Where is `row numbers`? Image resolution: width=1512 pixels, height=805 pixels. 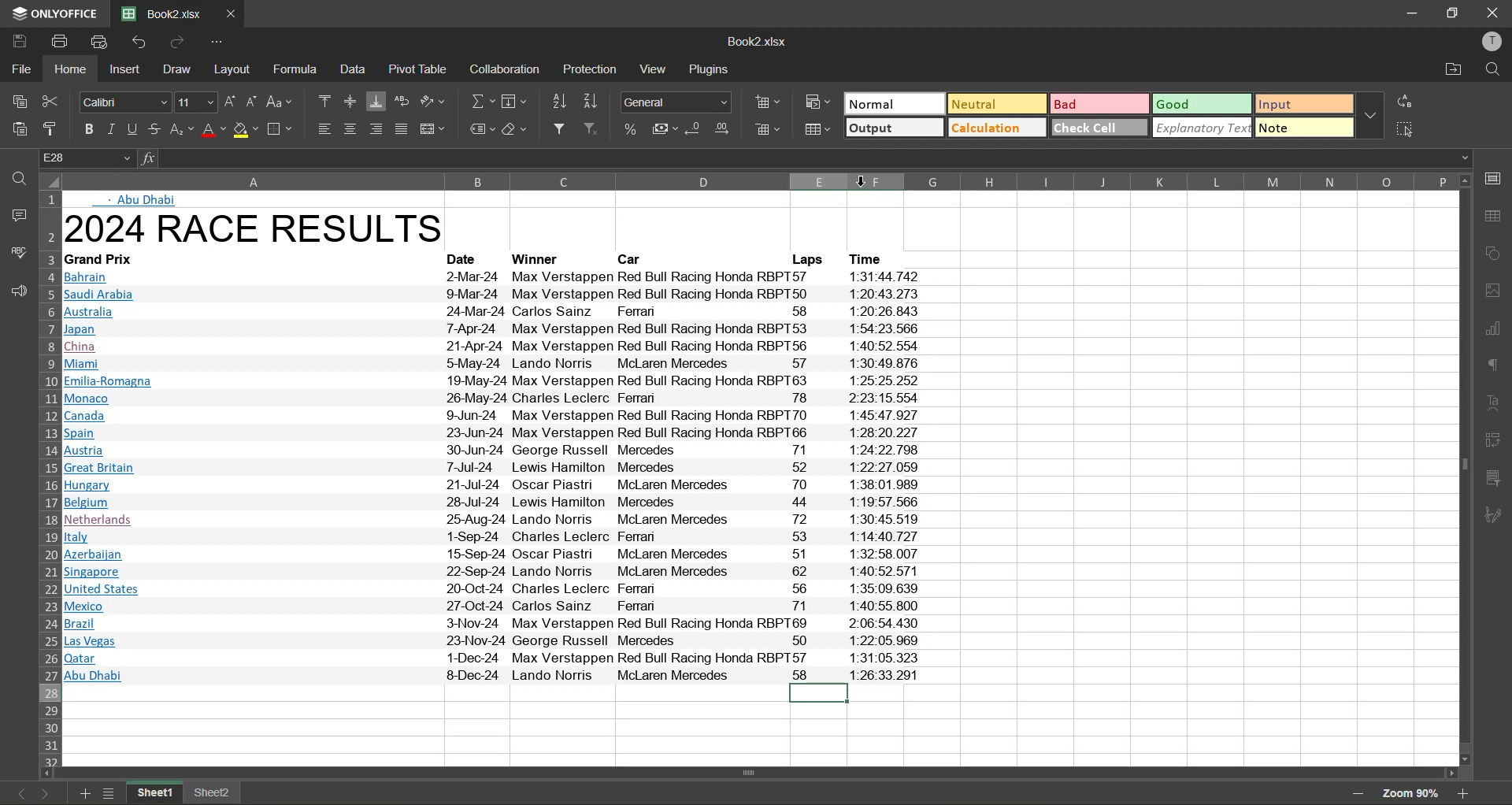
row numbers is located at coordinates (46, 476).